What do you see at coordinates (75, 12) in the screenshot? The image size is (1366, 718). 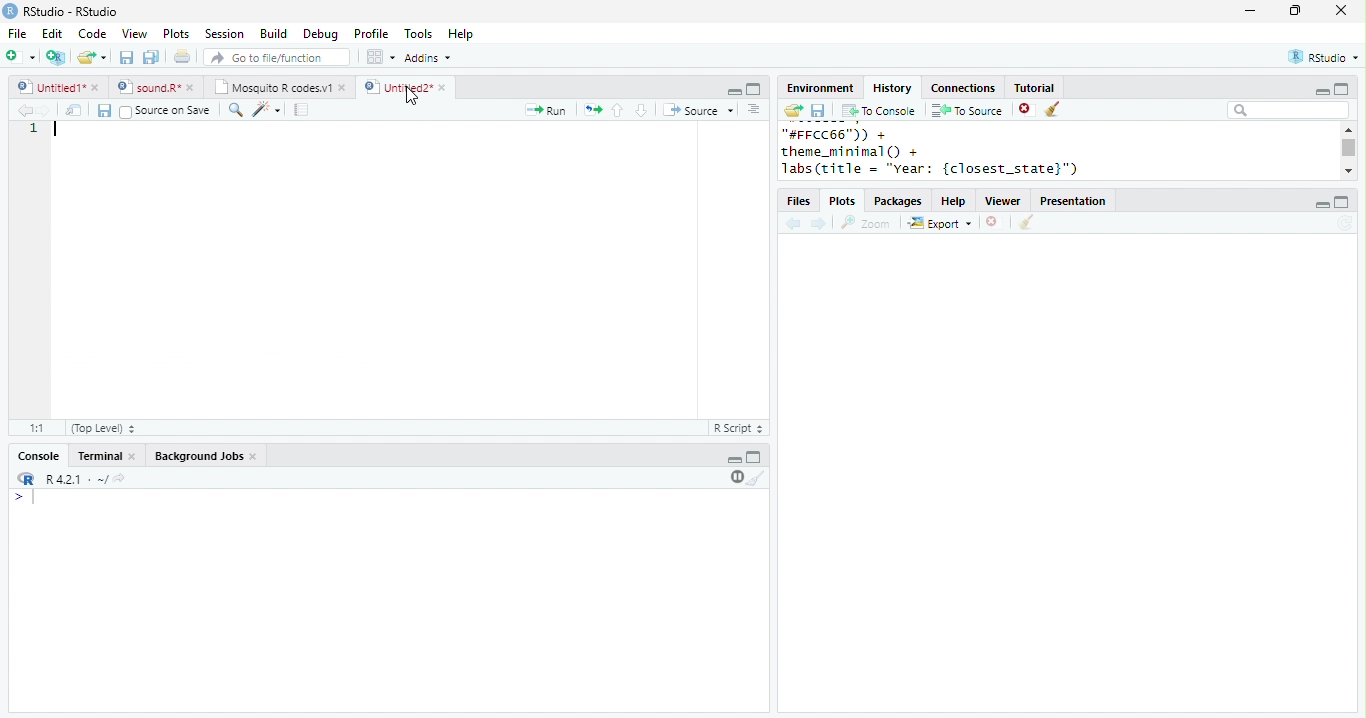 I see `RStudio-RStudio` at bounding box center [75, 12].